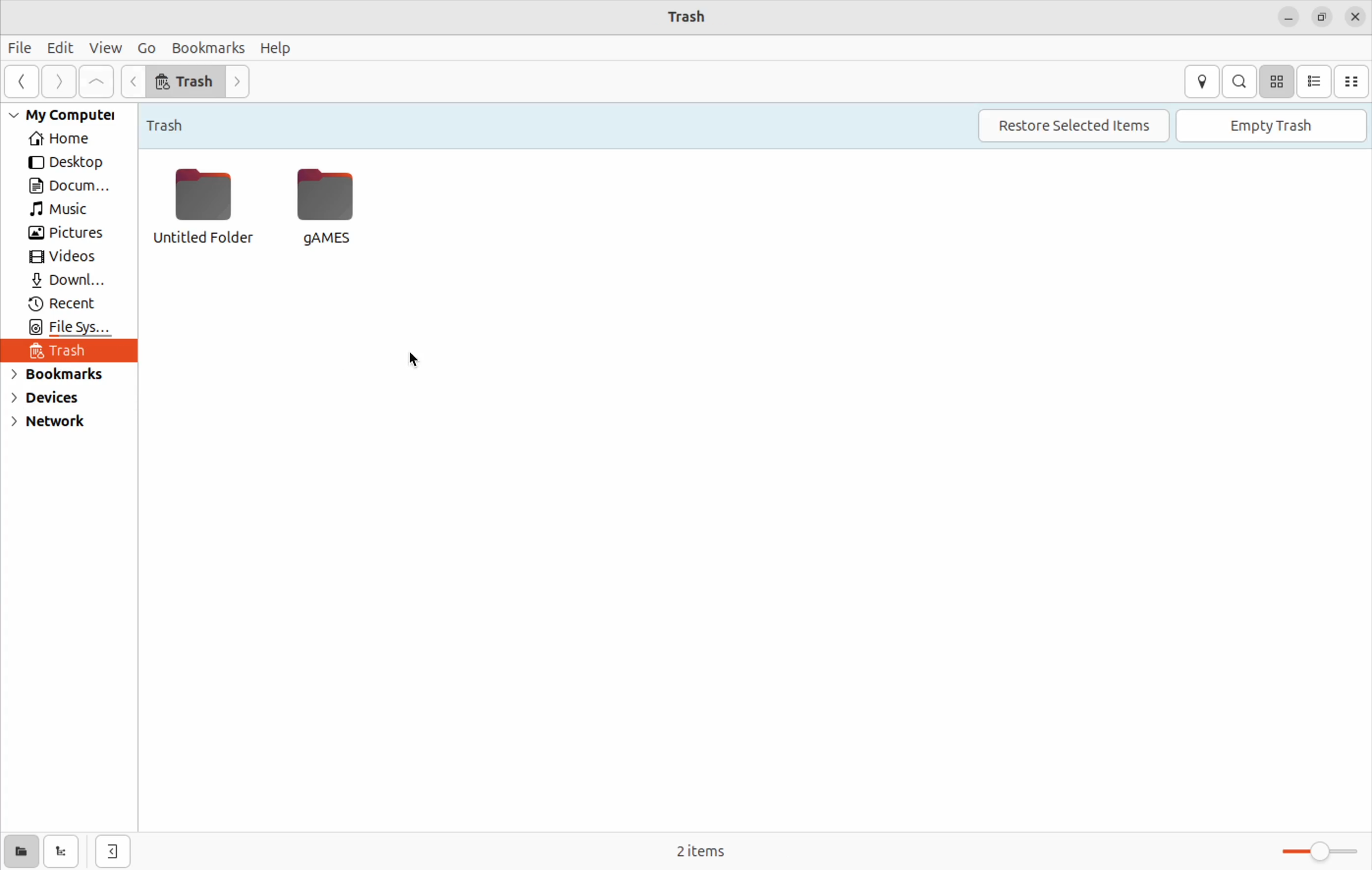 The height and width of the screenshot is (870, 1372). What do you see at coordinates (243, 83) in the screenshot?
I see `forward` at bounding box center [243, 83].